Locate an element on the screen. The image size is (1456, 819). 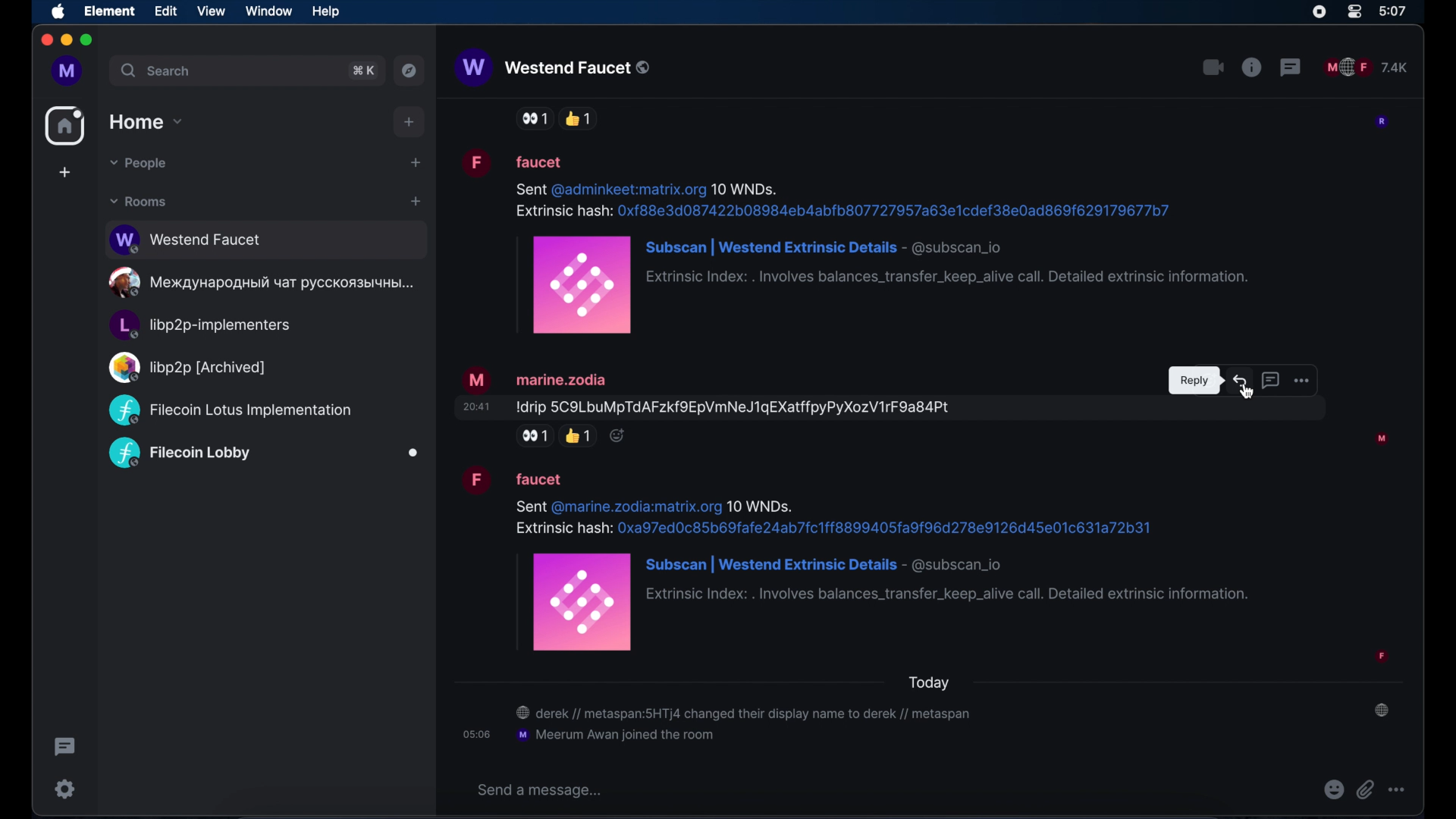
edit is located at coordinates (165, 11).